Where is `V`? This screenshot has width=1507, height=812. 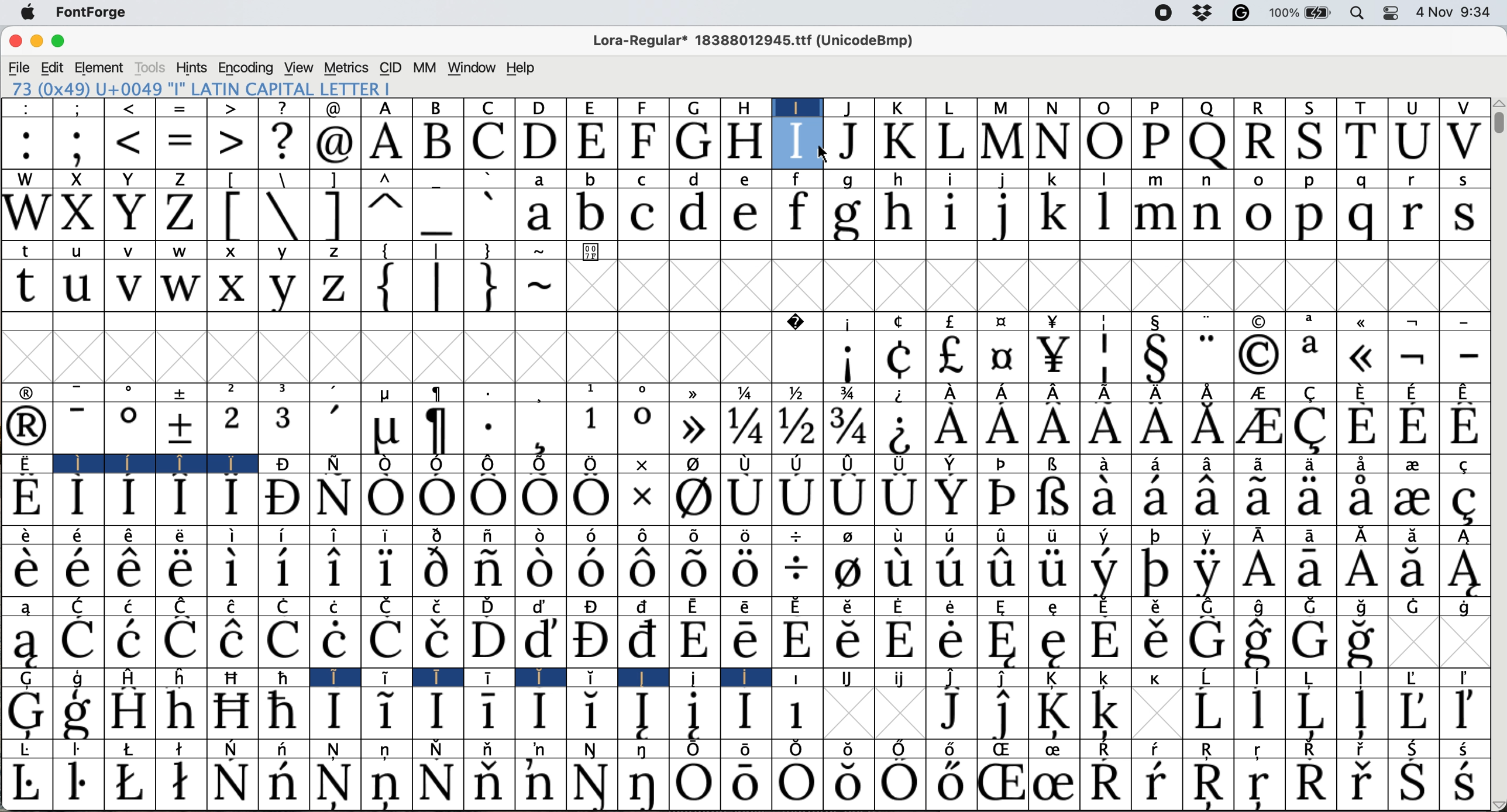
V is located at coordinates (1462, 108).